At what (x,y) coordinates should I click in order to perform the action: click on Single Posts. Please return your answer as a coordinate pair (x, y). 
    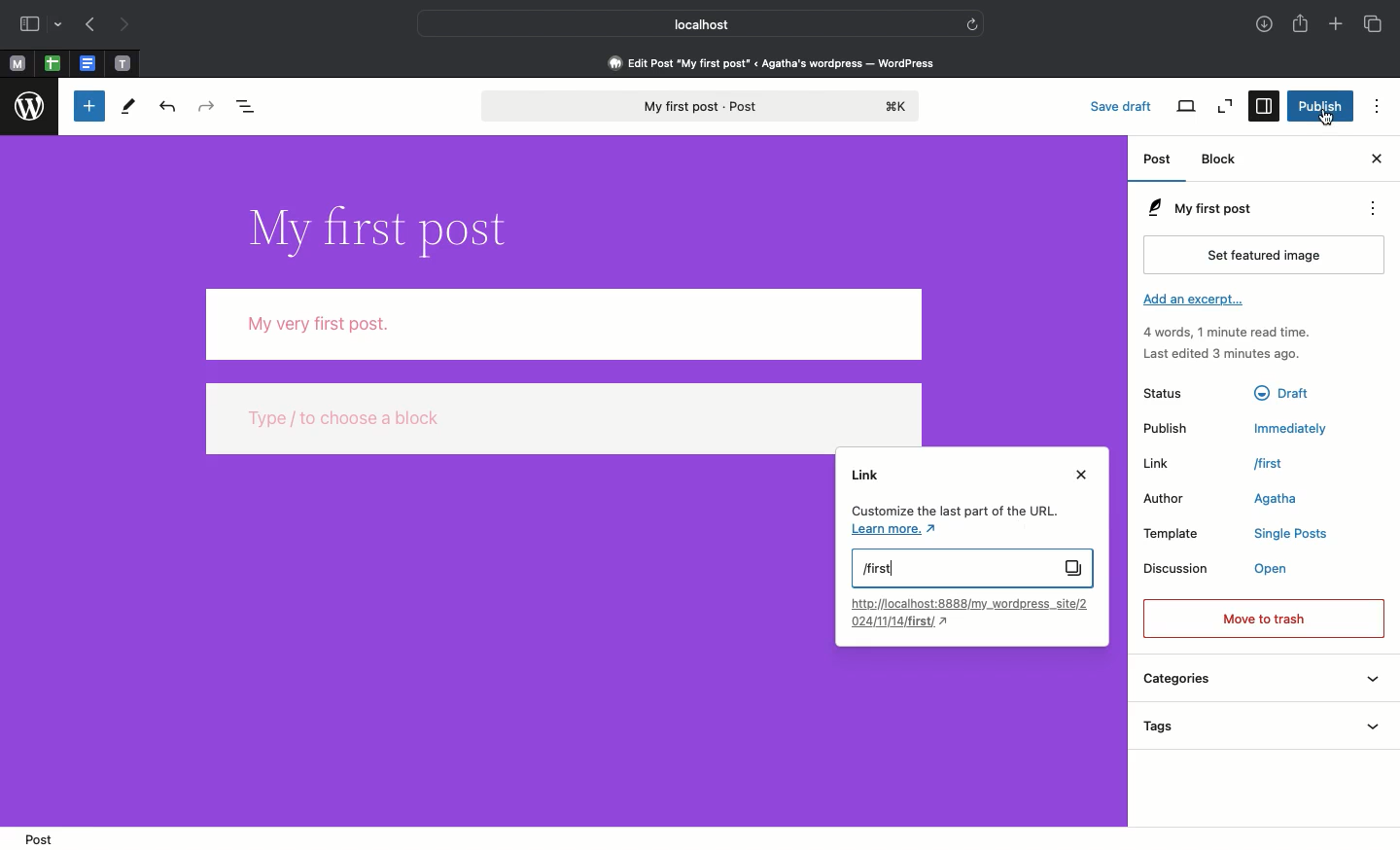
    Looking at the image, I should click on (1289, 533).